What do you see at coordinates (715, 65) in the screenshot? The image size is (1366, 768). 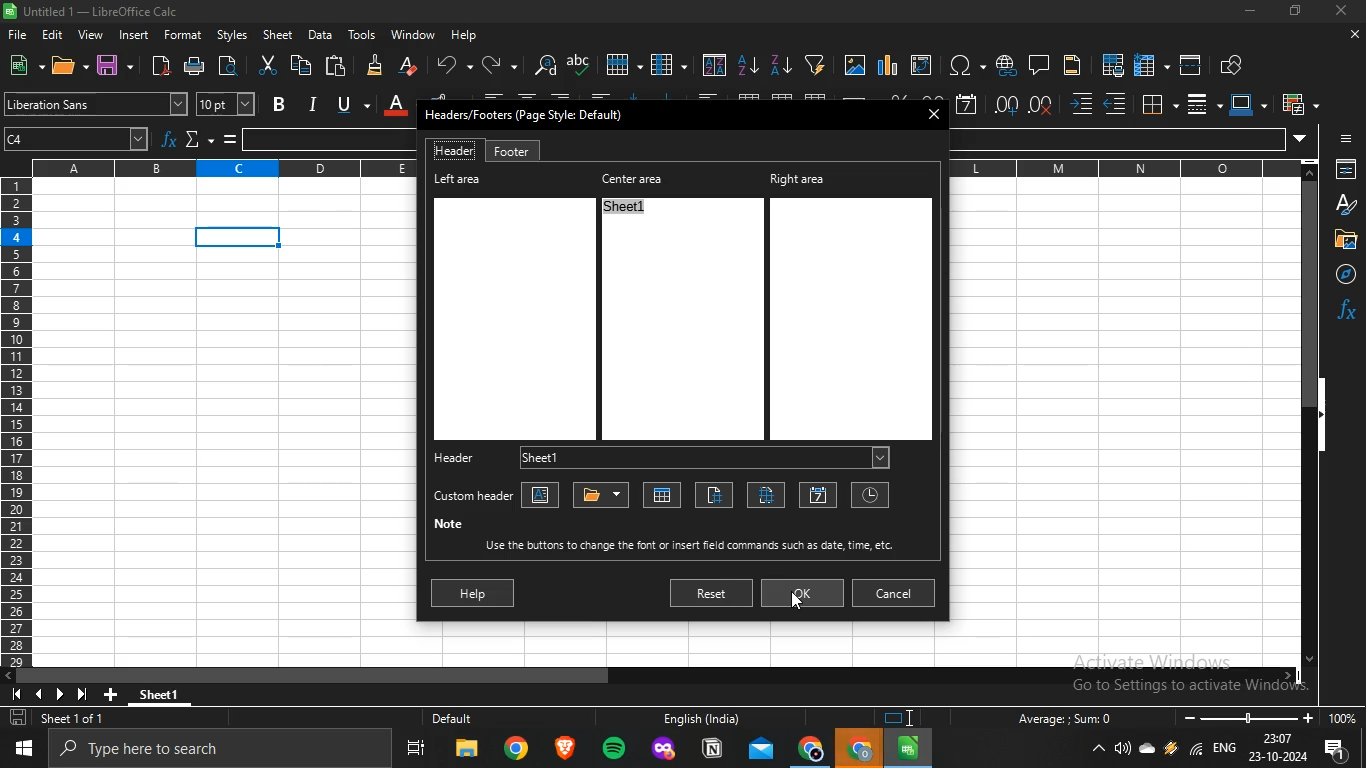 I see `sort` at bounding box center [715, 65].